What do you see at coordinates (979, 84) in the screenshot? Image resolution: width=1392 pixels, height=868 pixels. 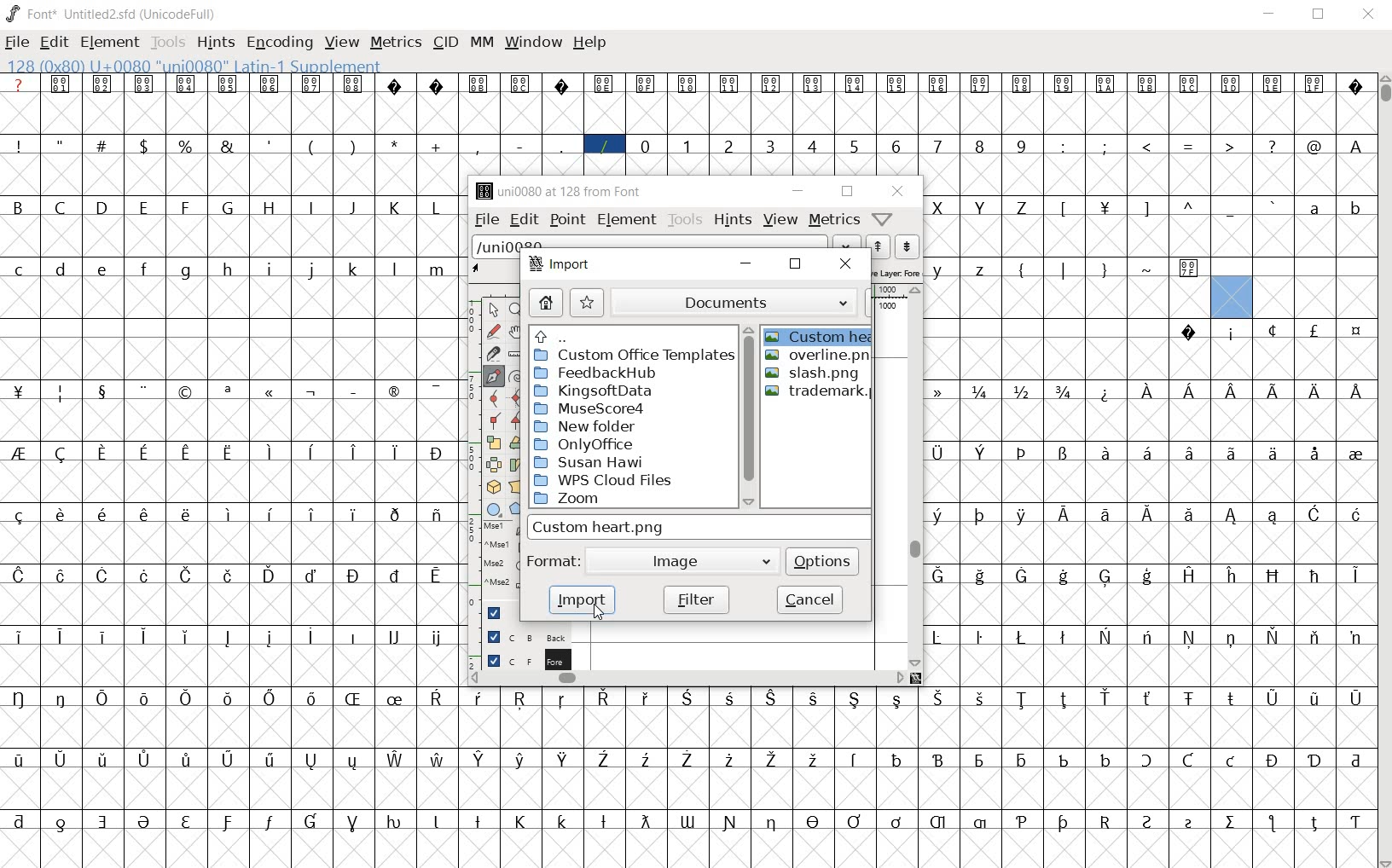 I see `glyph` at bounding box center [979, 84].